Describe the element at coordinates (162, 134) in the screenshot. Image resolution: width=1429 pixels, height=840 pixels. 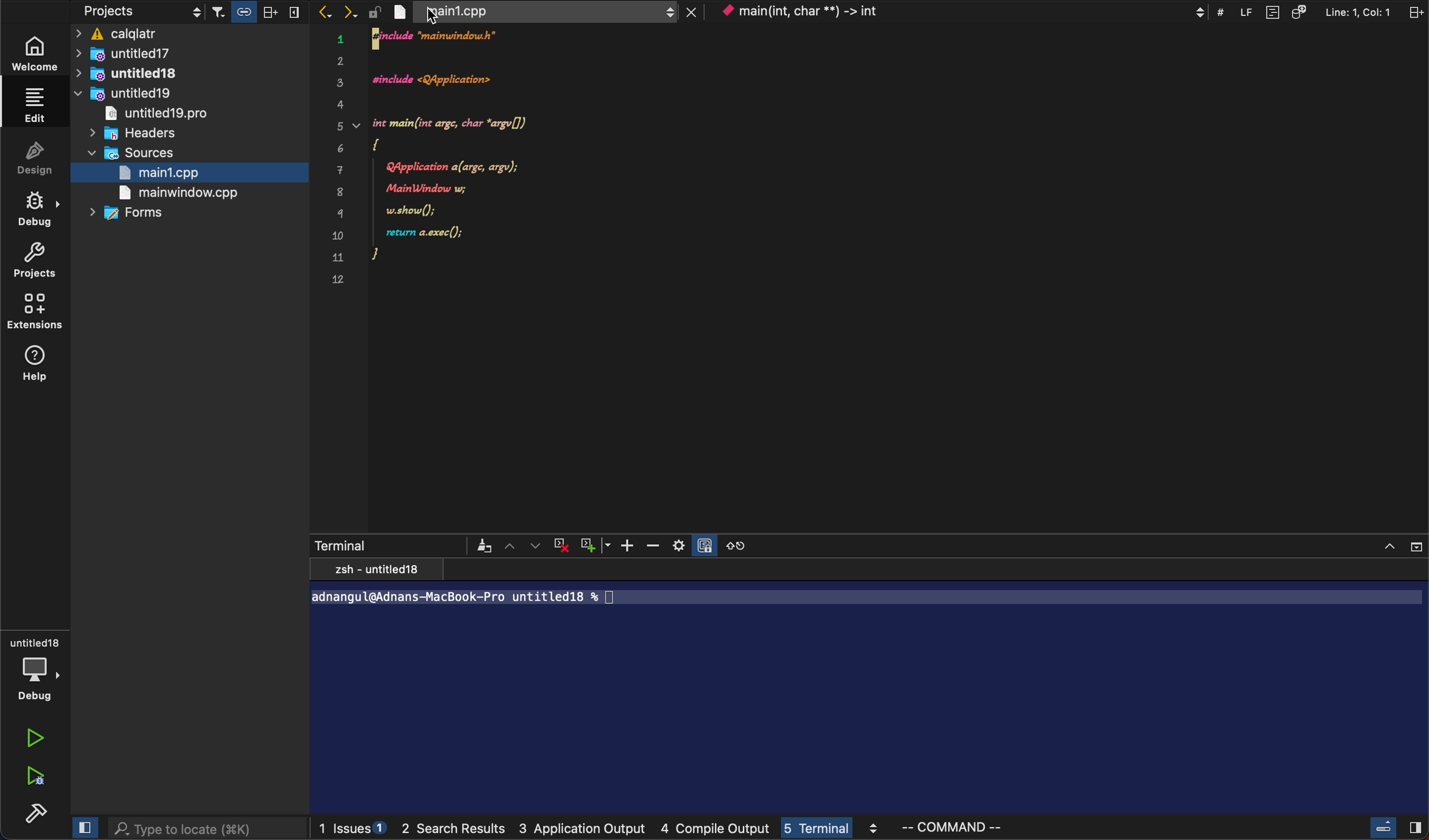
I see `headers` at that location.